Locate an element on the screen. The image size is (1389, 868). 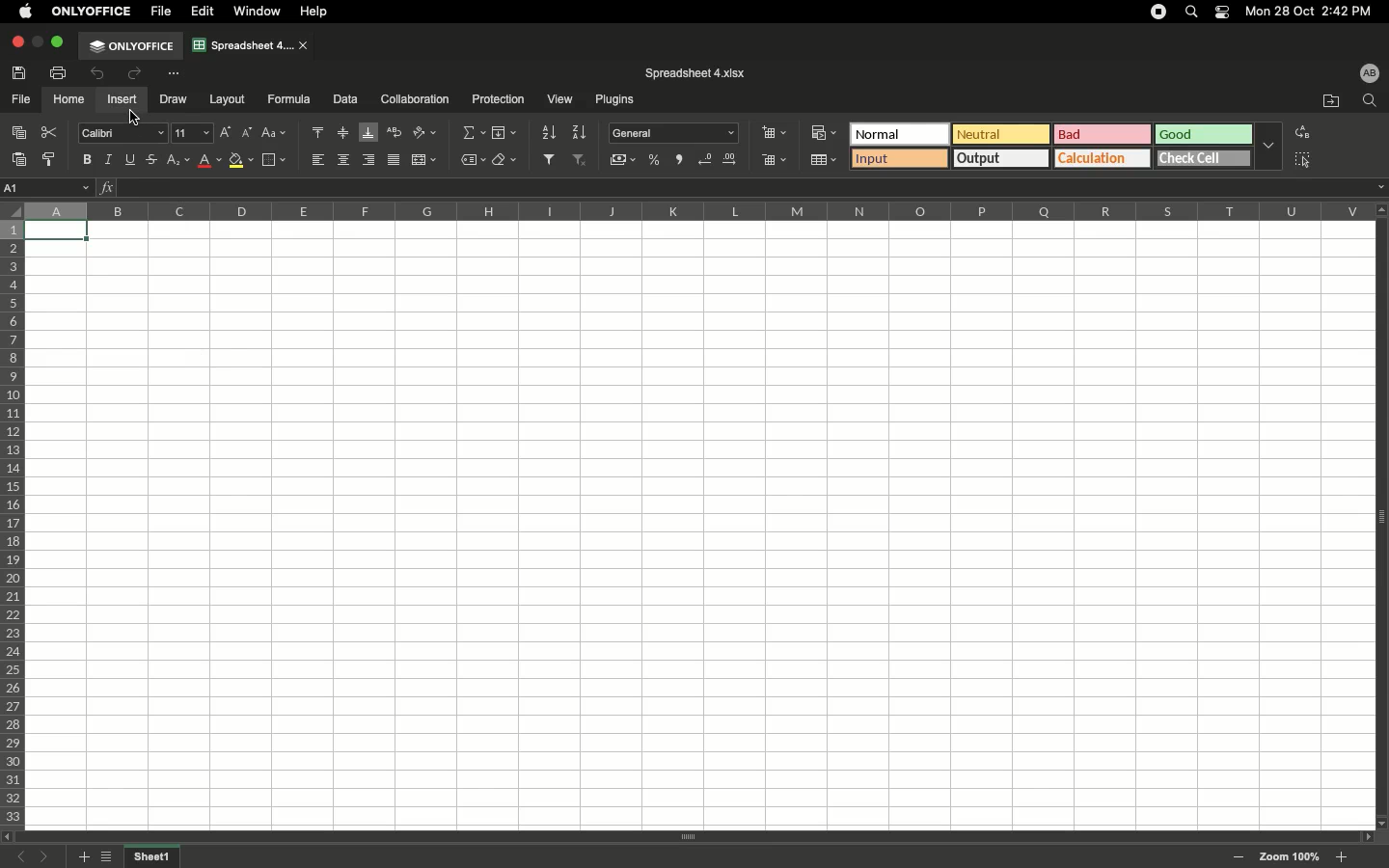
Save is located at coordinates (22, 72).